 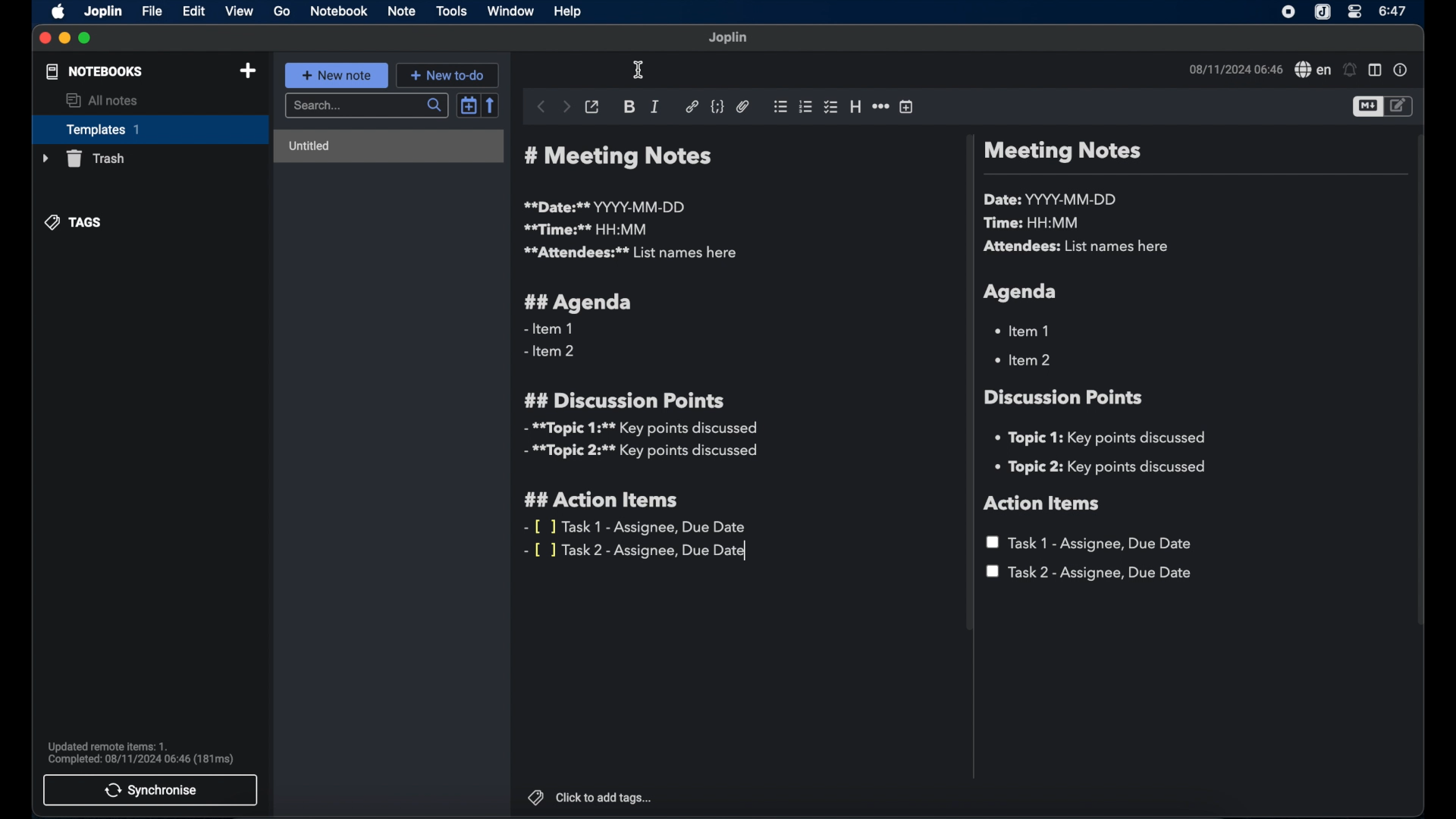 What do you see at coordinates (1079, 247) in the screenshot?
I see `attendees: list names here` at bounding box center [1079, 247].